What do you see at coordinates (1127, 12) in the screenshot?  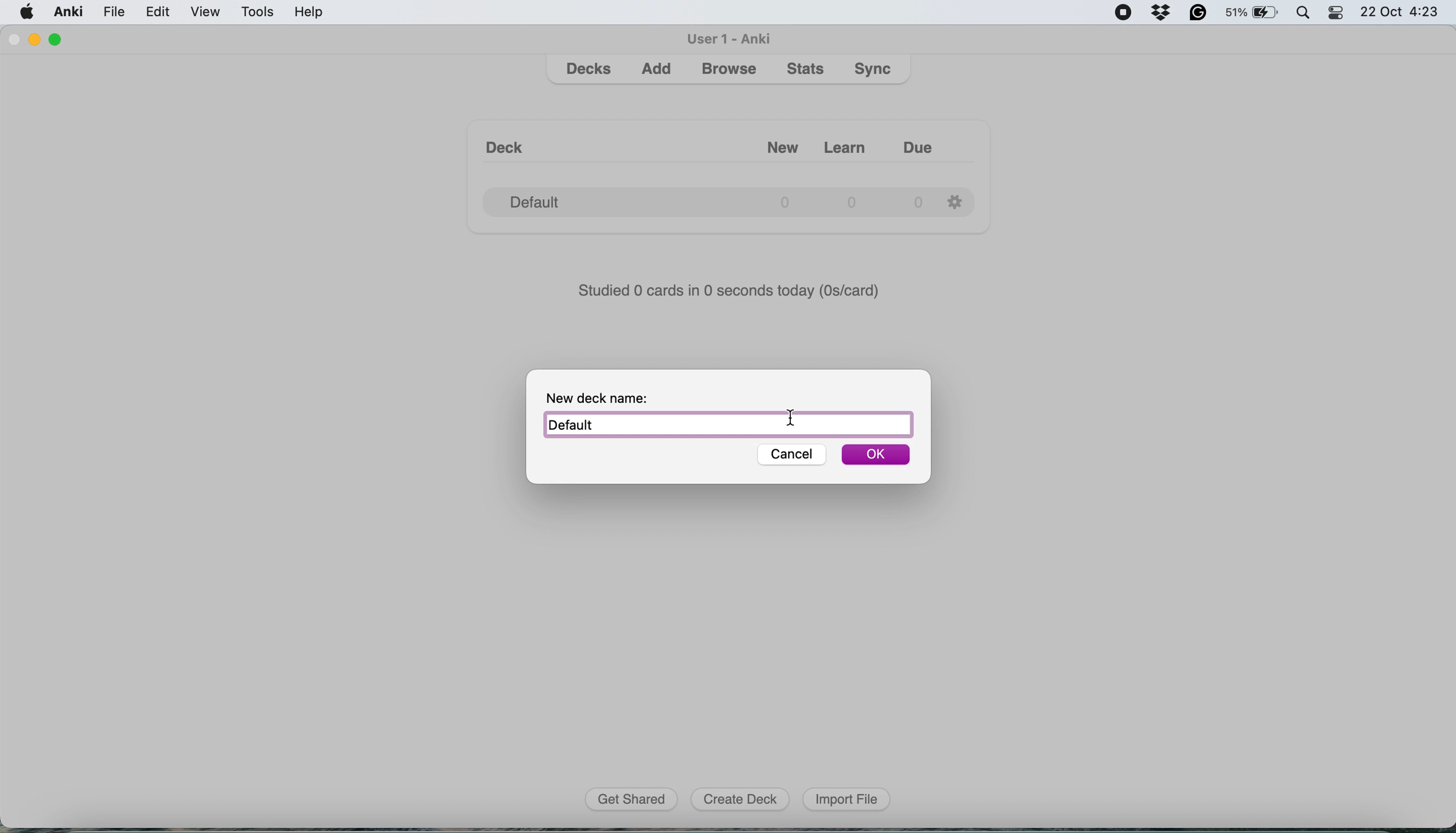 I see `screen recorder` at bounding box center [1127, 12].